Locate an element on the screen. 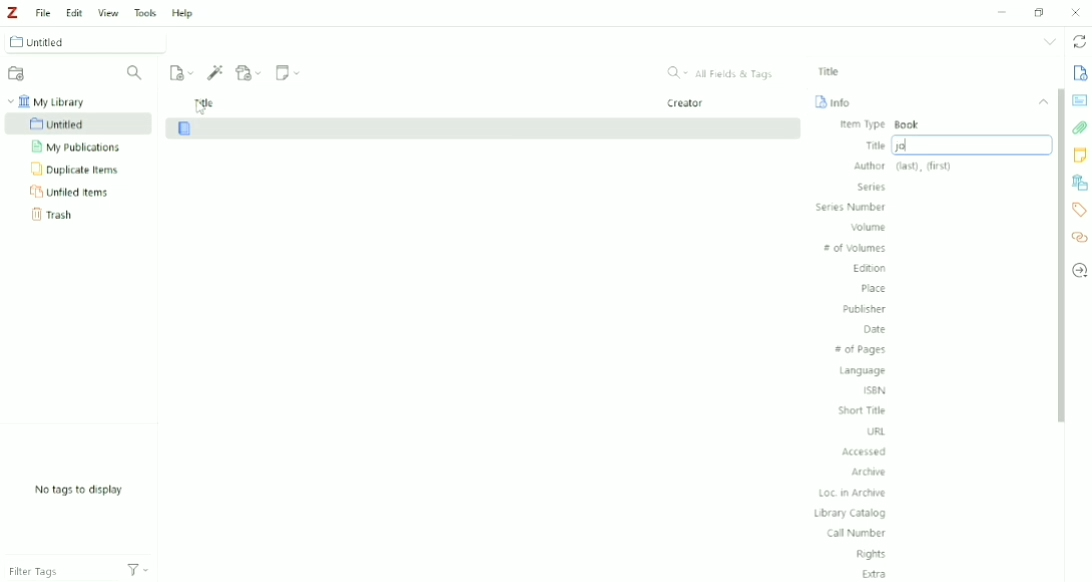  Filter Collections is located at coordinates (137, 73).